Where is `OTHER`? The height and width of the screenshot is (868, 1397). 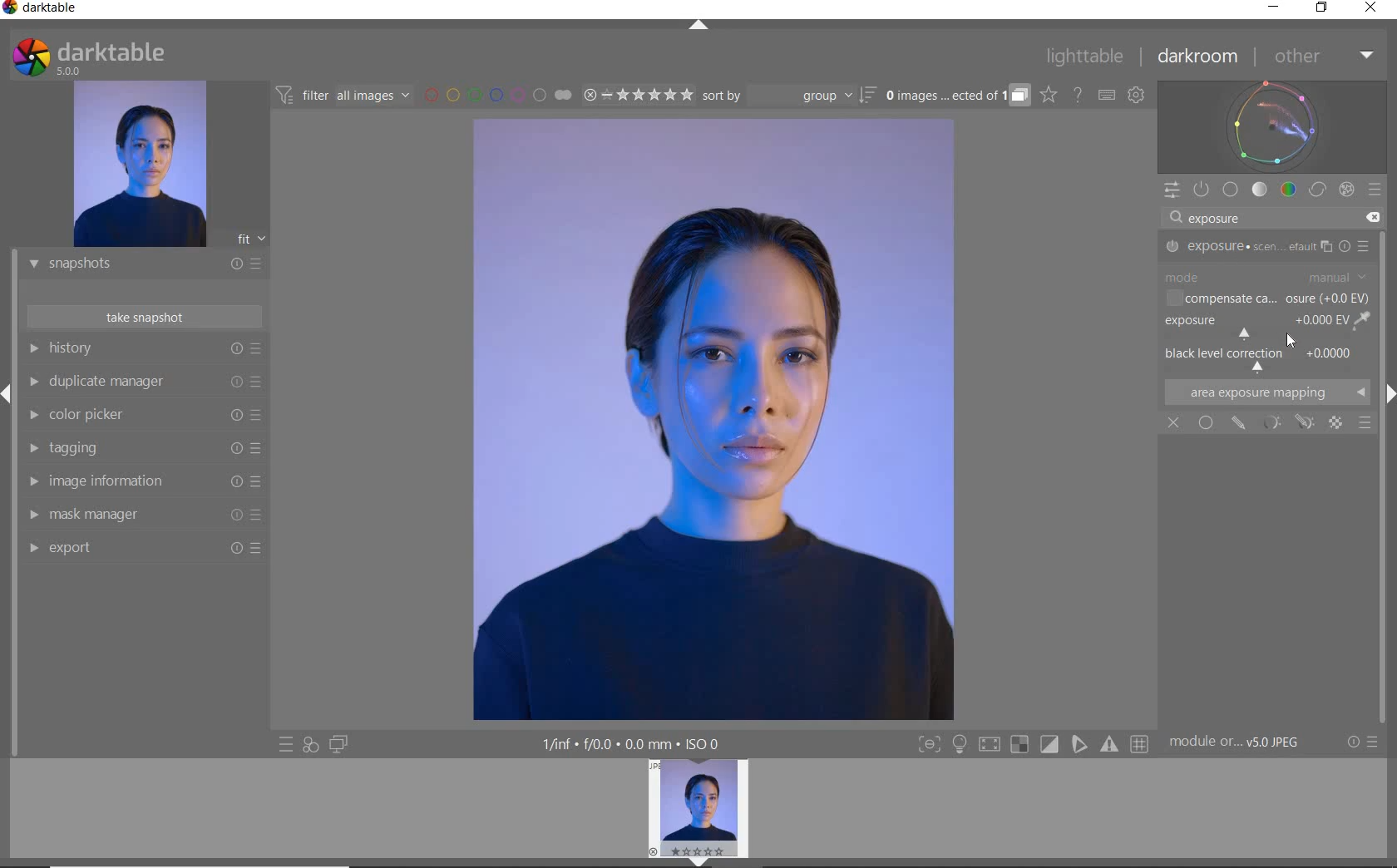
OTHER is located at coordinates (1322, 57).